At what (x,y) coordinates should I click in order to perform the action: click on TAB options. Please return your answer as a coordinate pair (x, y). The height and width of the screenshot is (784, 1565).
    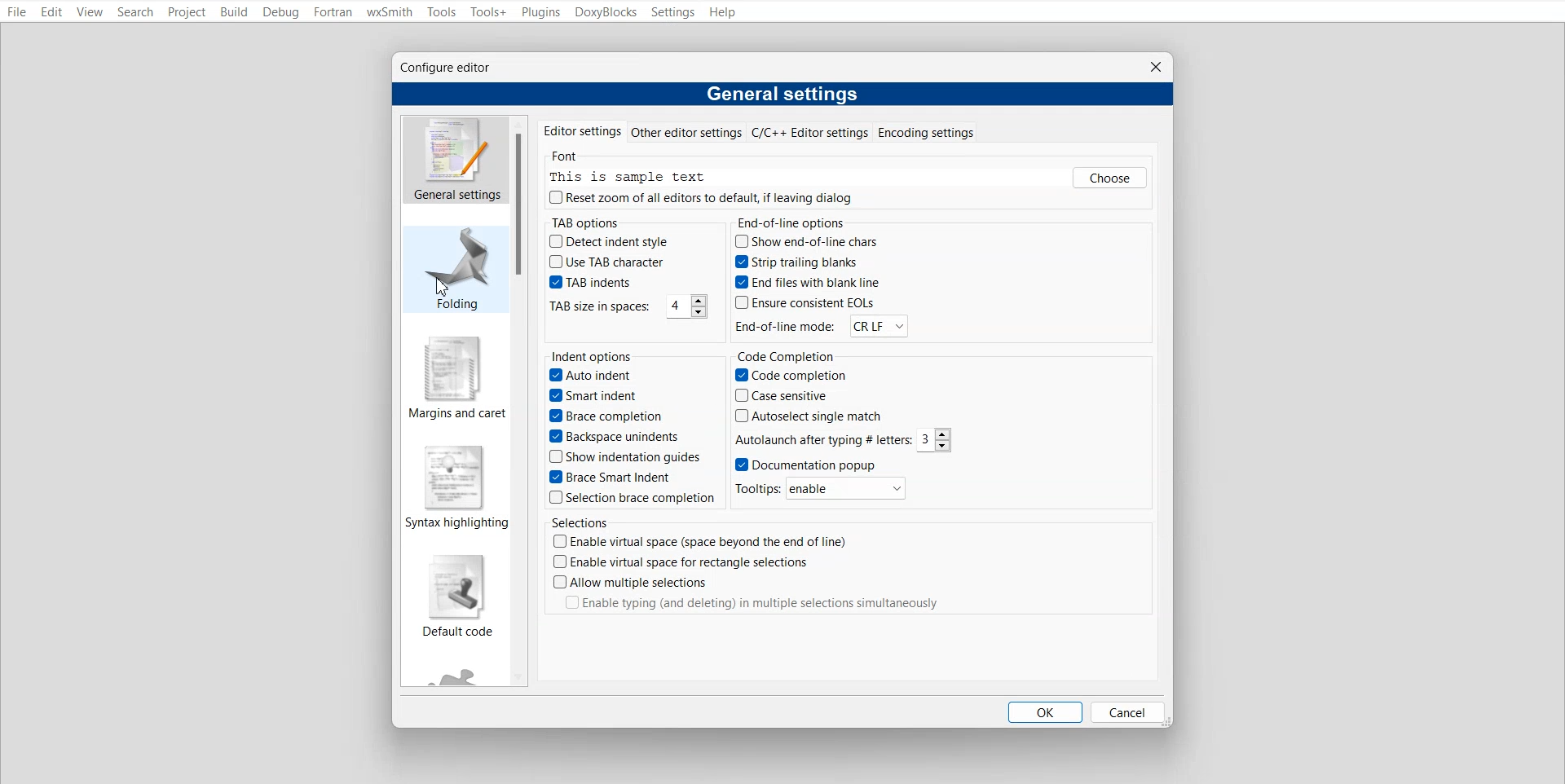
    Looking at the image, I should click on (583, 221).